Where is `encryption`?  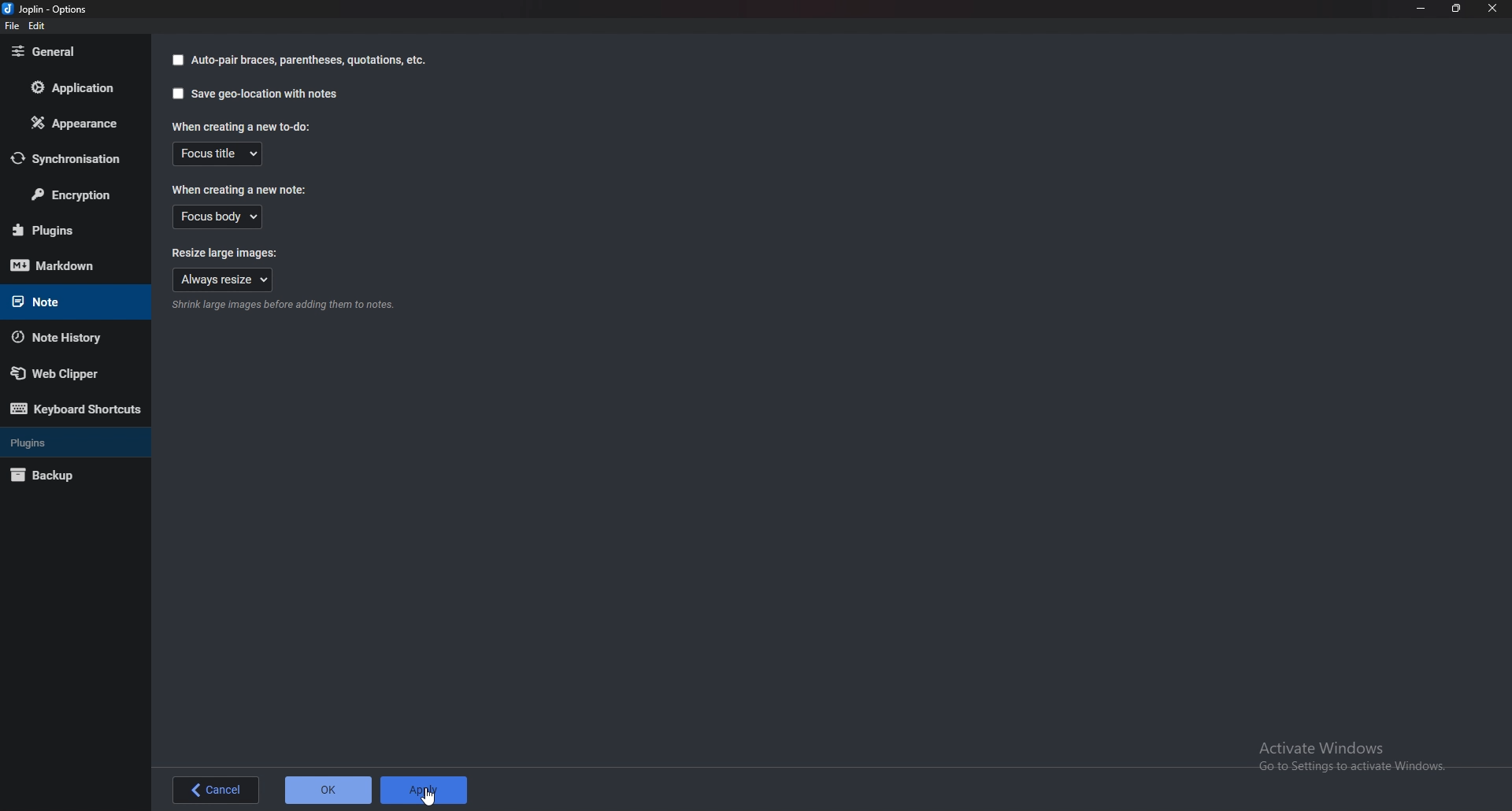 encryption is located at coordinates (71, 192).